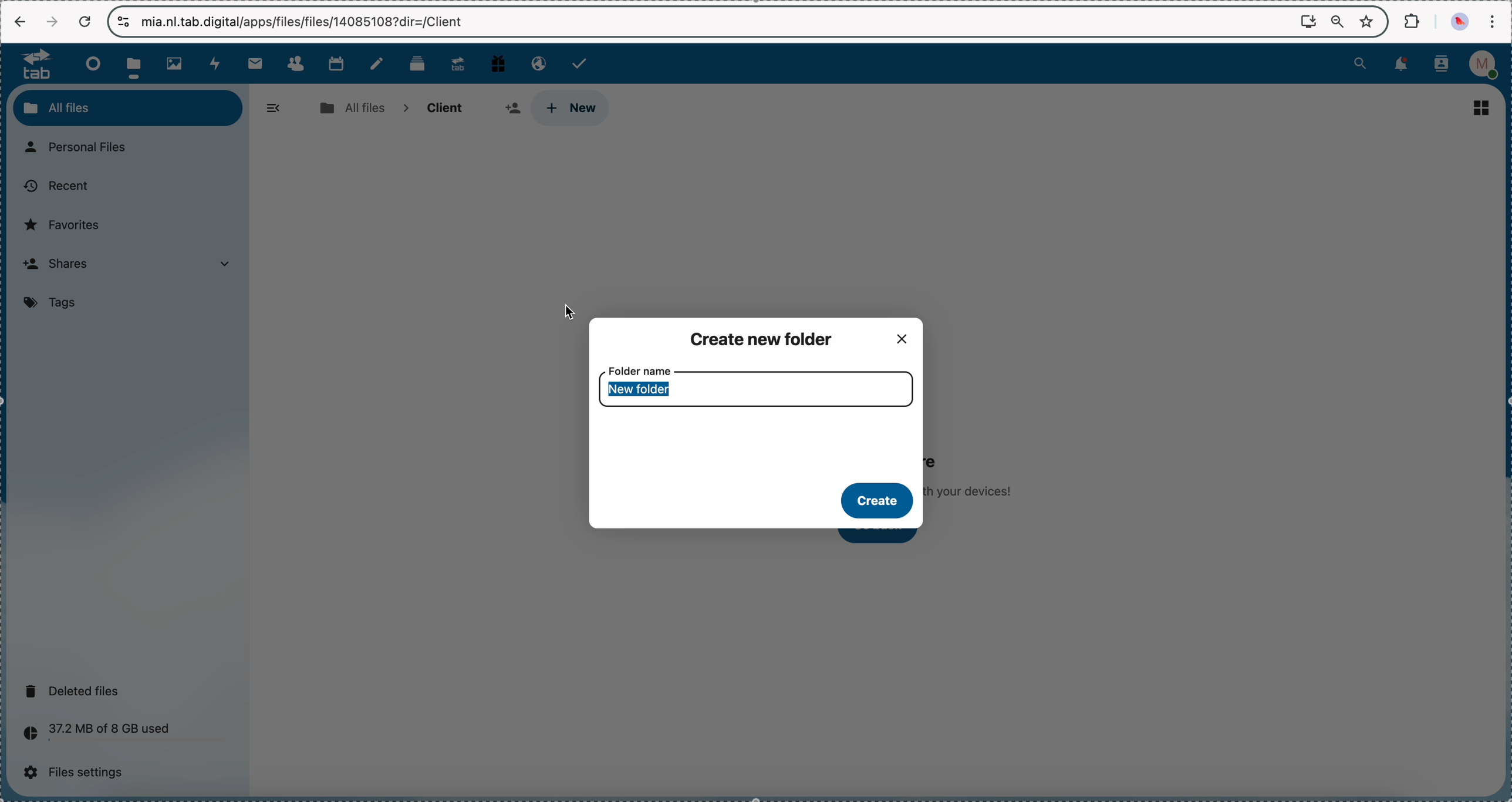 The width and height of the screenshot is (1512, 802). What do you see at coordinates (352, 108) in the screenshot?
I see `all files` at bounding box center [352, 108].